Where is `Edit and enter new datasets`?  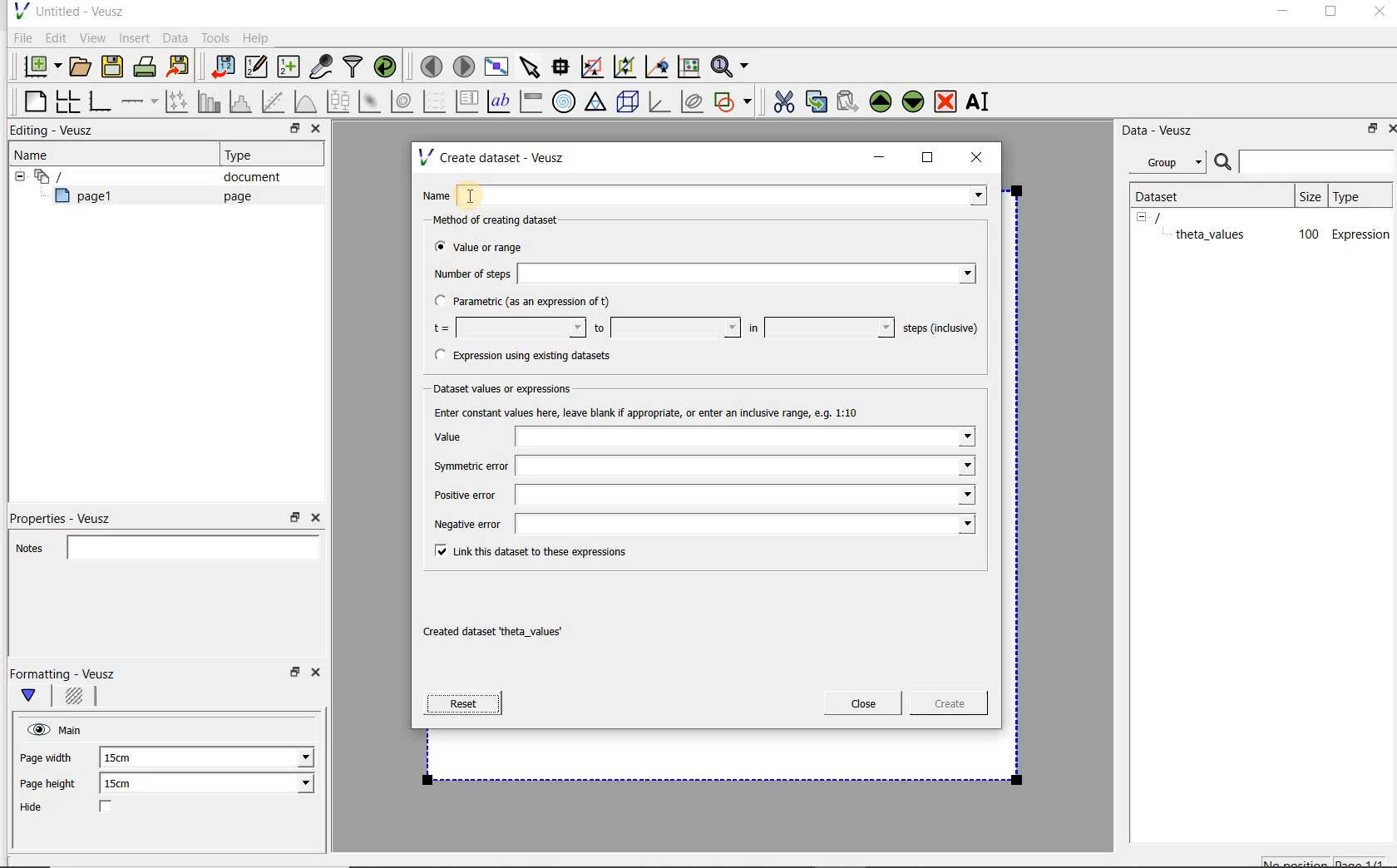
Edit and enter new datasets is located at coordinates (257, 67).